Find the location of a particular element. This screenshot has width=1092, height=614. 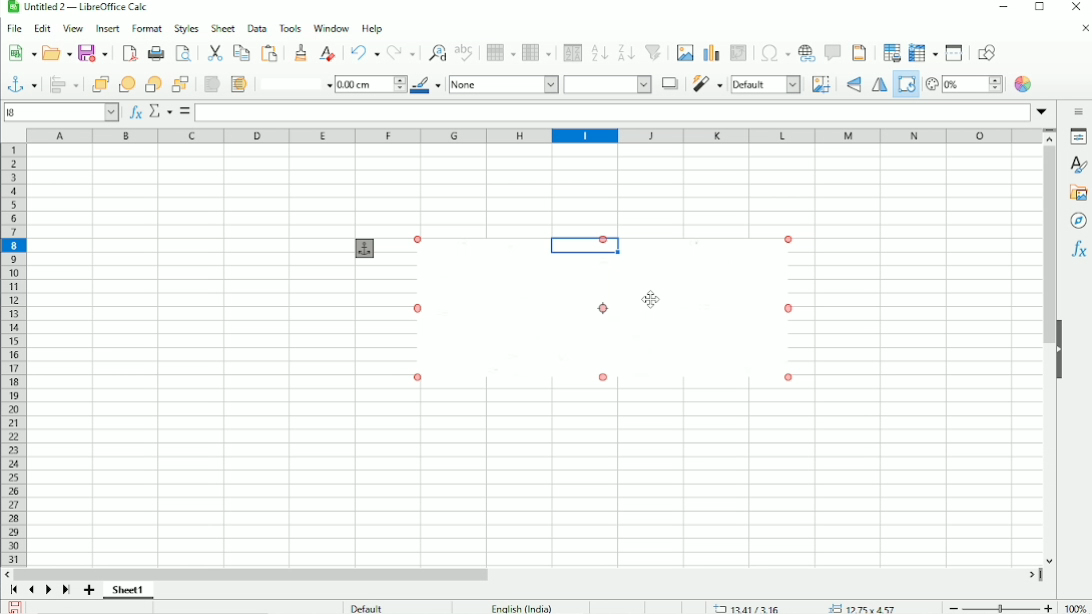

Scroll to first sheet is located at coordinates (13, 591).